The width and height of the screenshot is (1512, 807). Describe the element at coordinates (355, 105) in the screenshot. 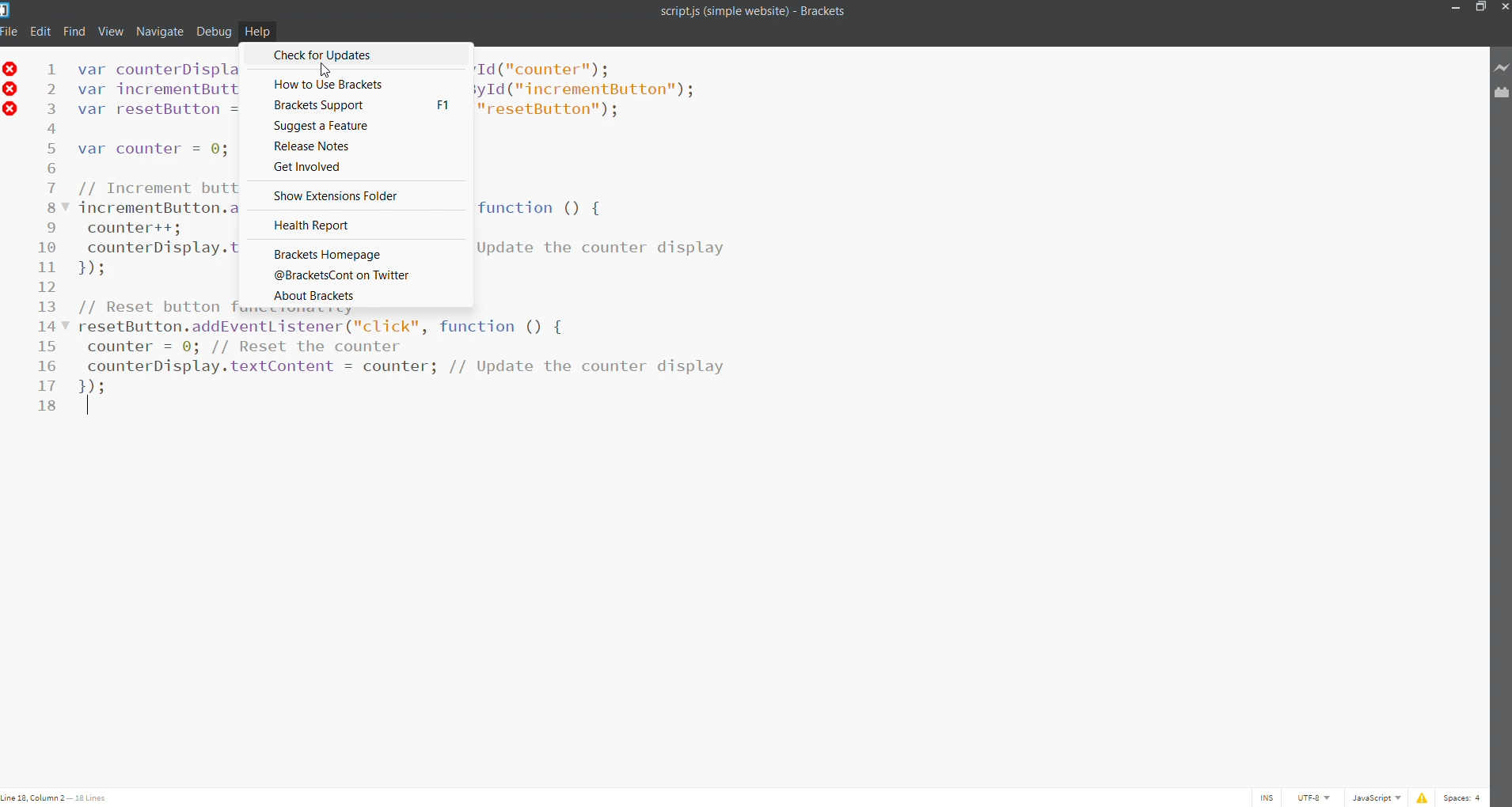

I see `brackets support` at that location.